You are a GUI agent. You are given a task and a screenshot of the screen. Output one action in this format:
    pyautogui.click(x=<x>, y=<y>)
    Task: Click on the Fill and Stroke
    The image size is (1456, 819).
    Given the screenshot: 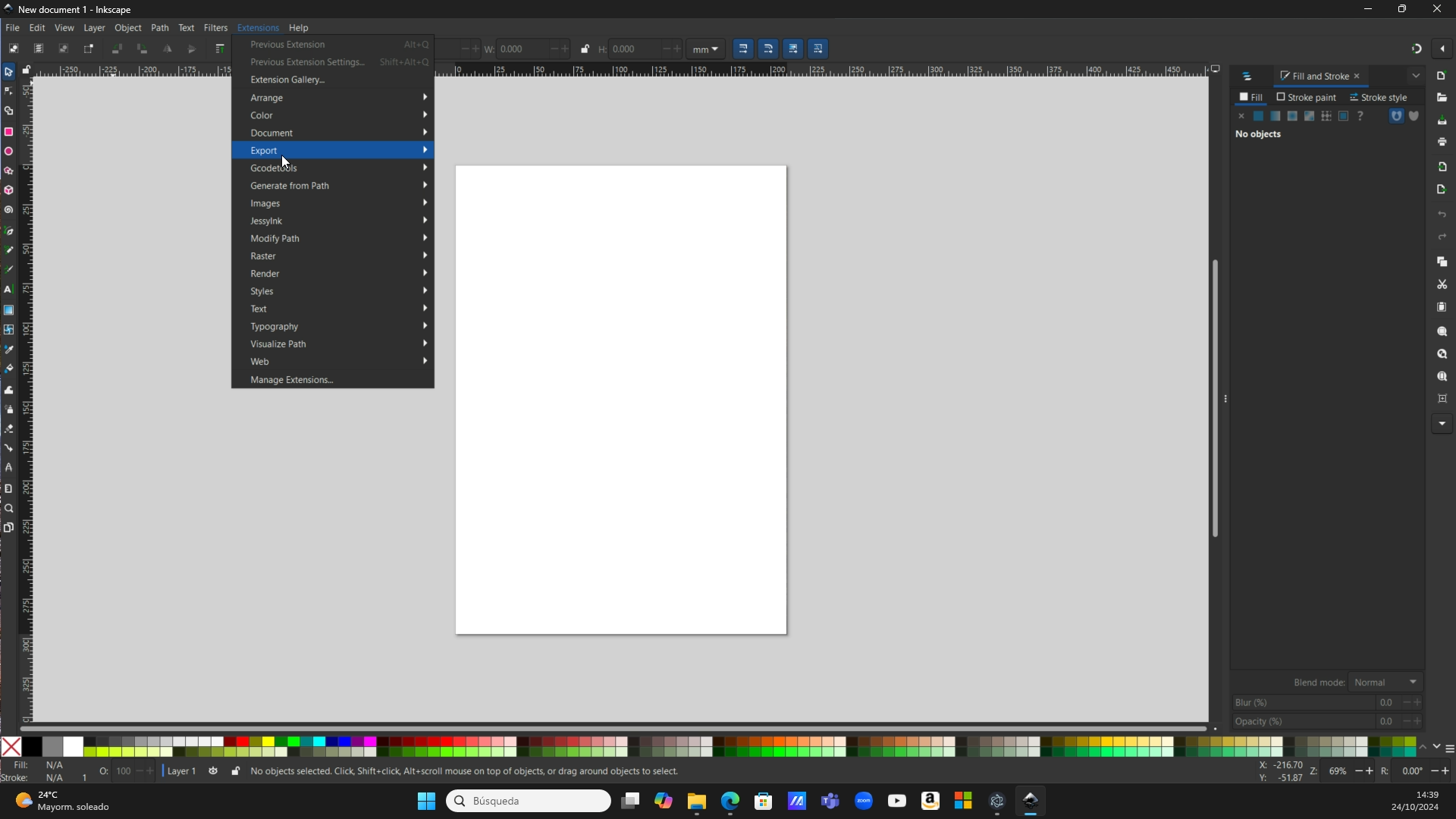 What is the action you would take?
    pyautogui.click(x=1322, y=76)
    